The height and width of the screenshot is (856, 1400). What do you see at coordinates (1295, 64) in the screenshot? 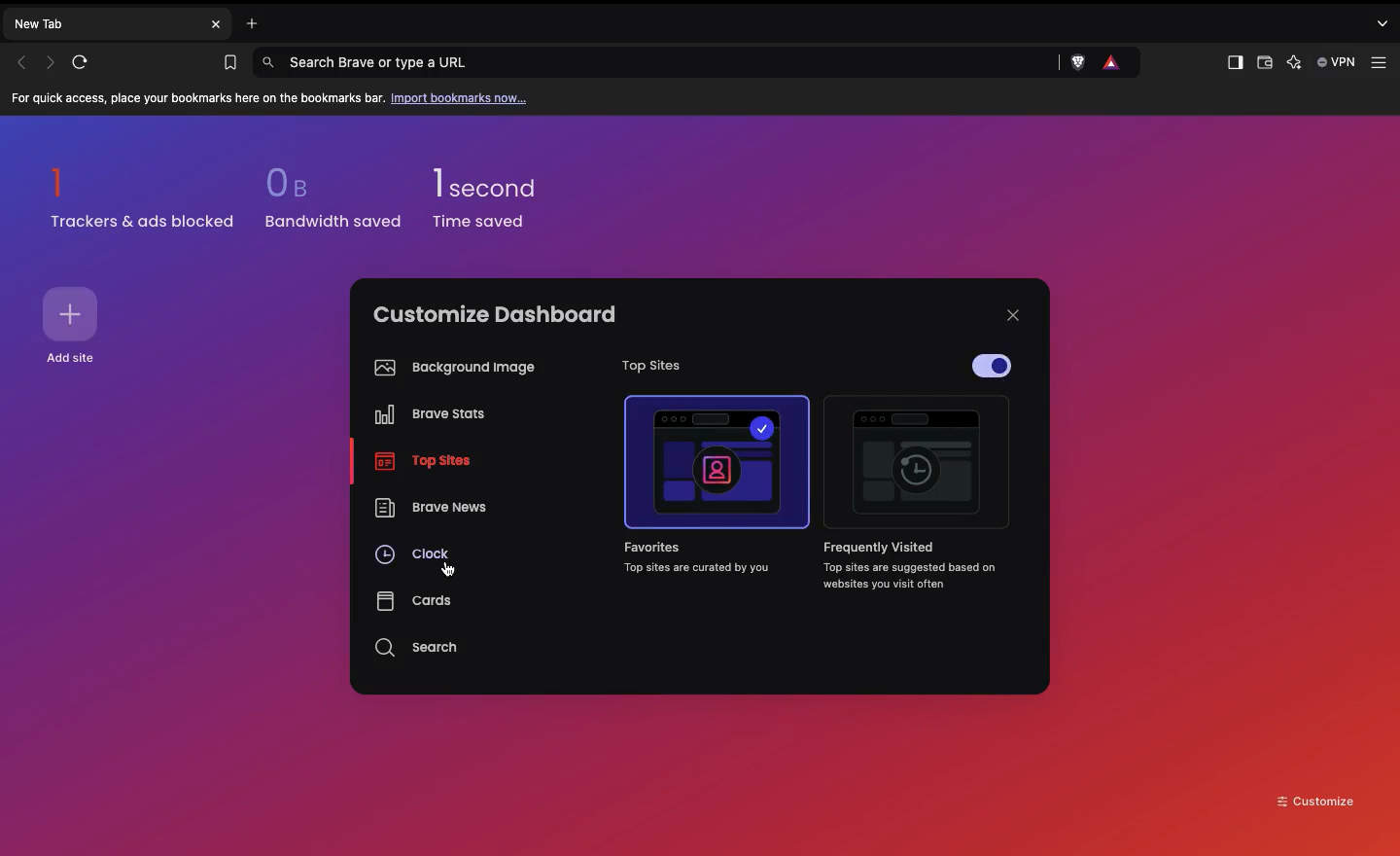
I see `Leo AI` at bounding box center [1295, 64].